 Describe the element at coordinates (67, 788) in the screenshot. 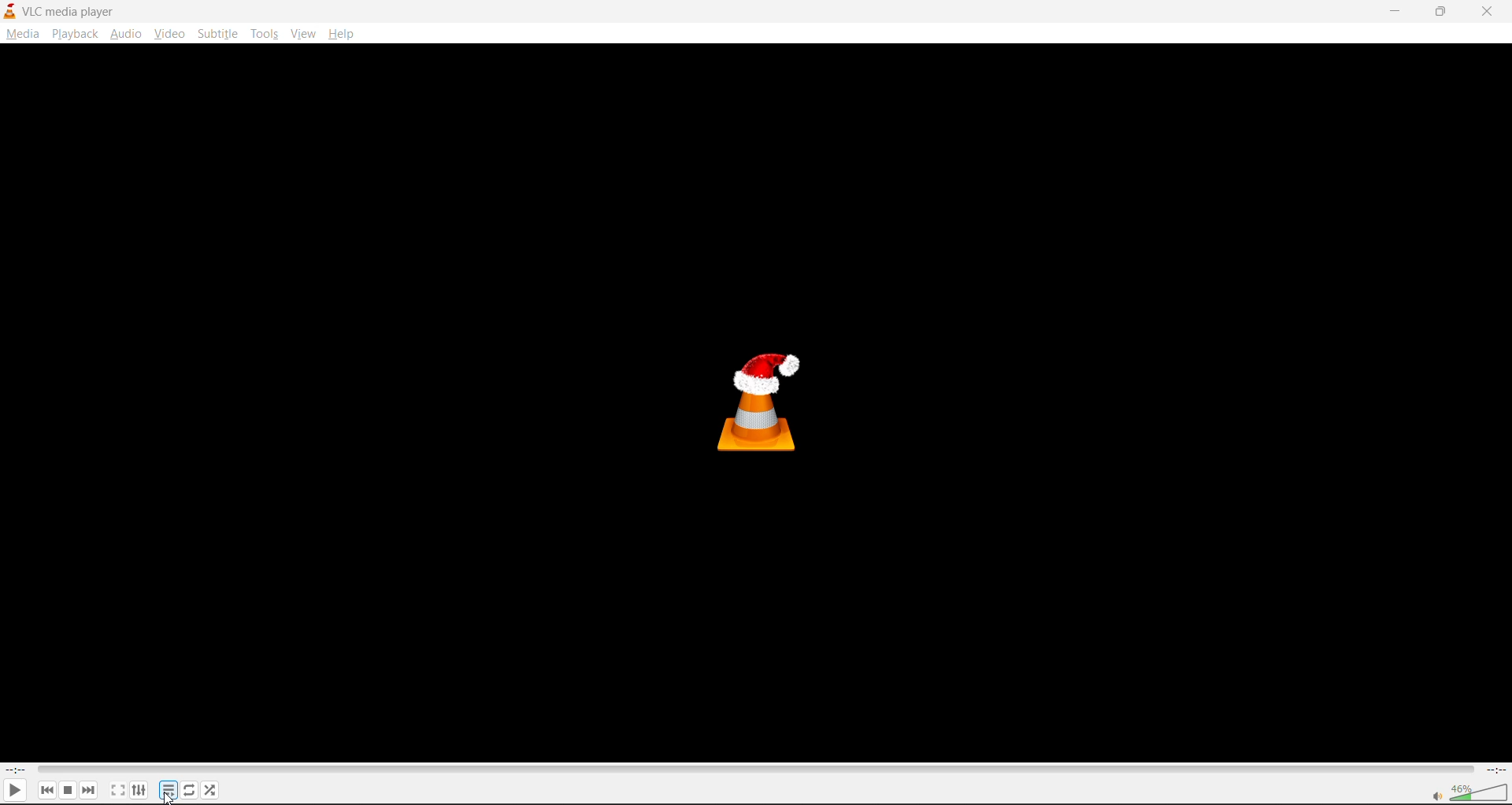

I see `stop` at that location.